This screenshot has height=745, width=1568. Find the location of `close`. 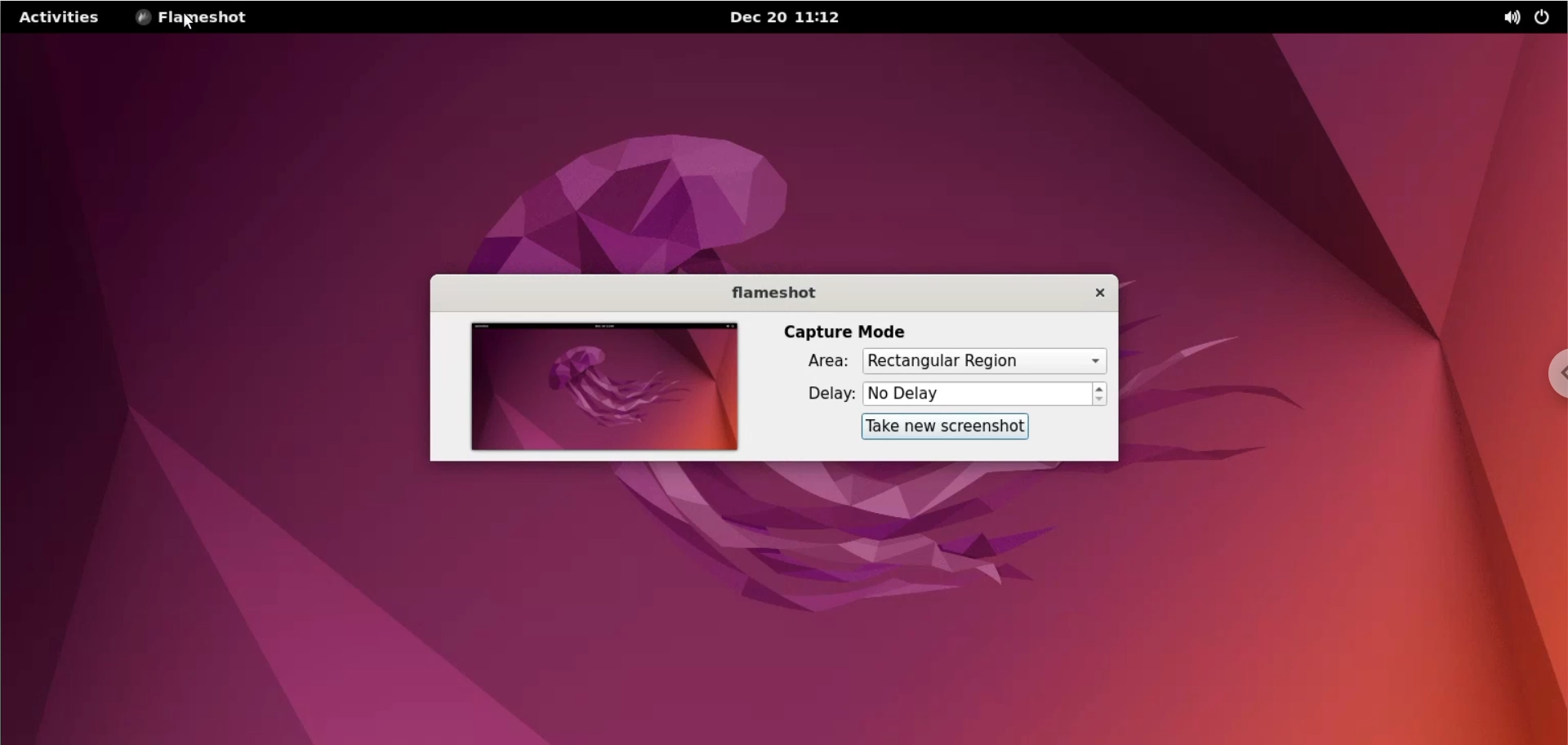

close is located at coordinates (1089, 292).